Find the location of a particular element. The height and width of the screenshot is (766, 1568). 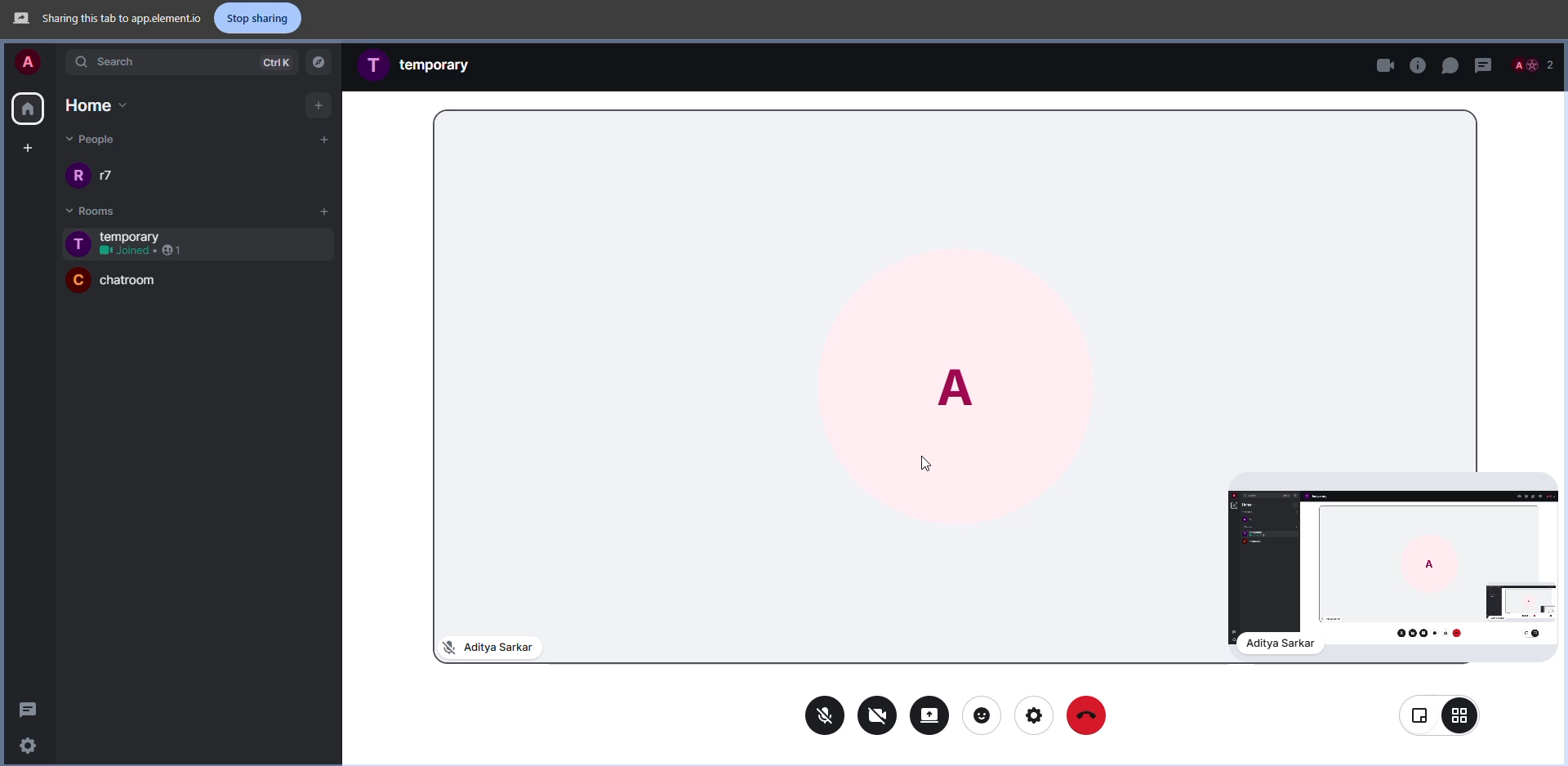

voice call is located at coordinates (1418, 65).